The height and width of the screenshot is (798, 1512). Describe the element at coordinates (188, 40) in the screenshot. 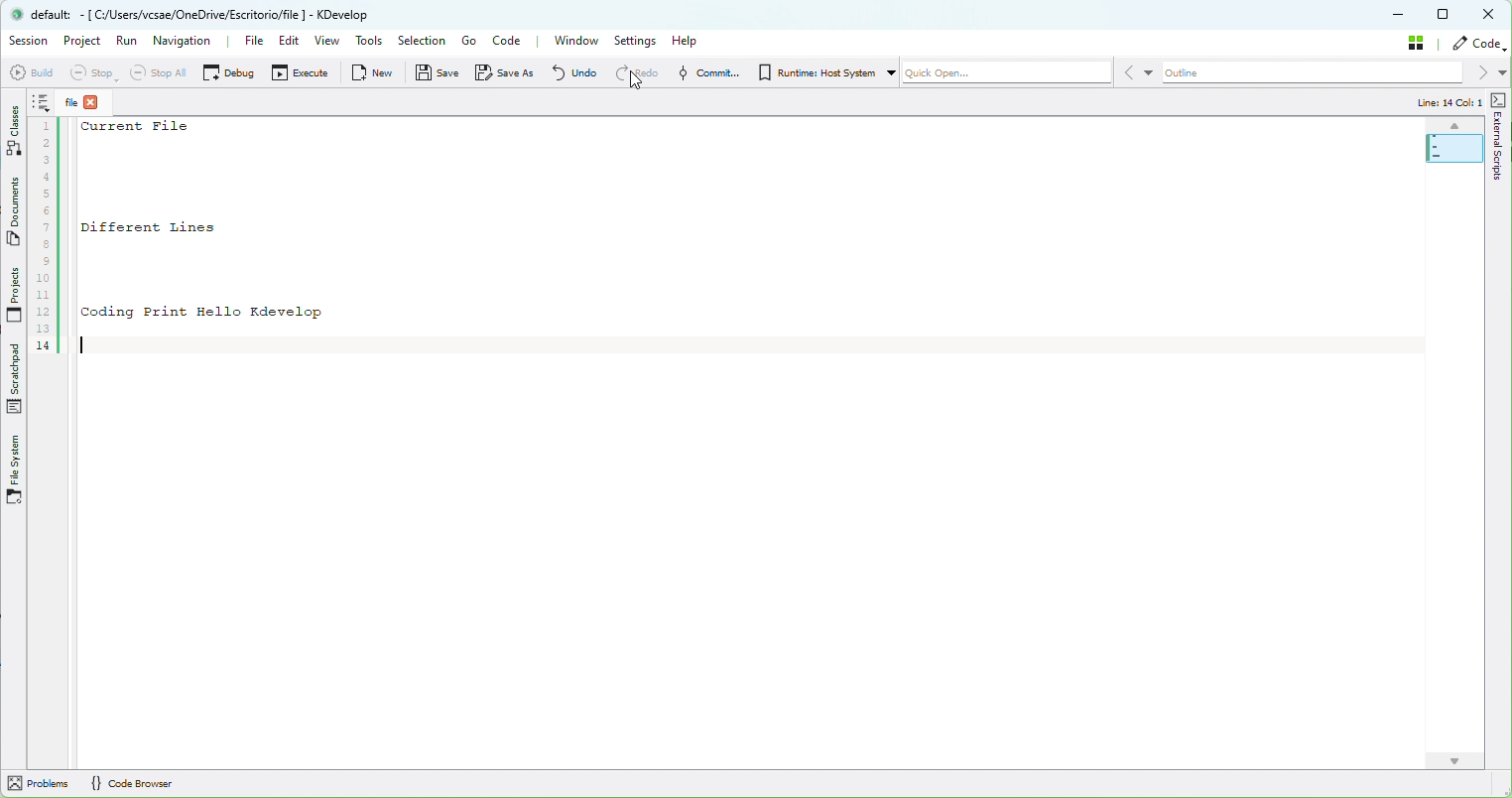

I see `Navigation` at that location.